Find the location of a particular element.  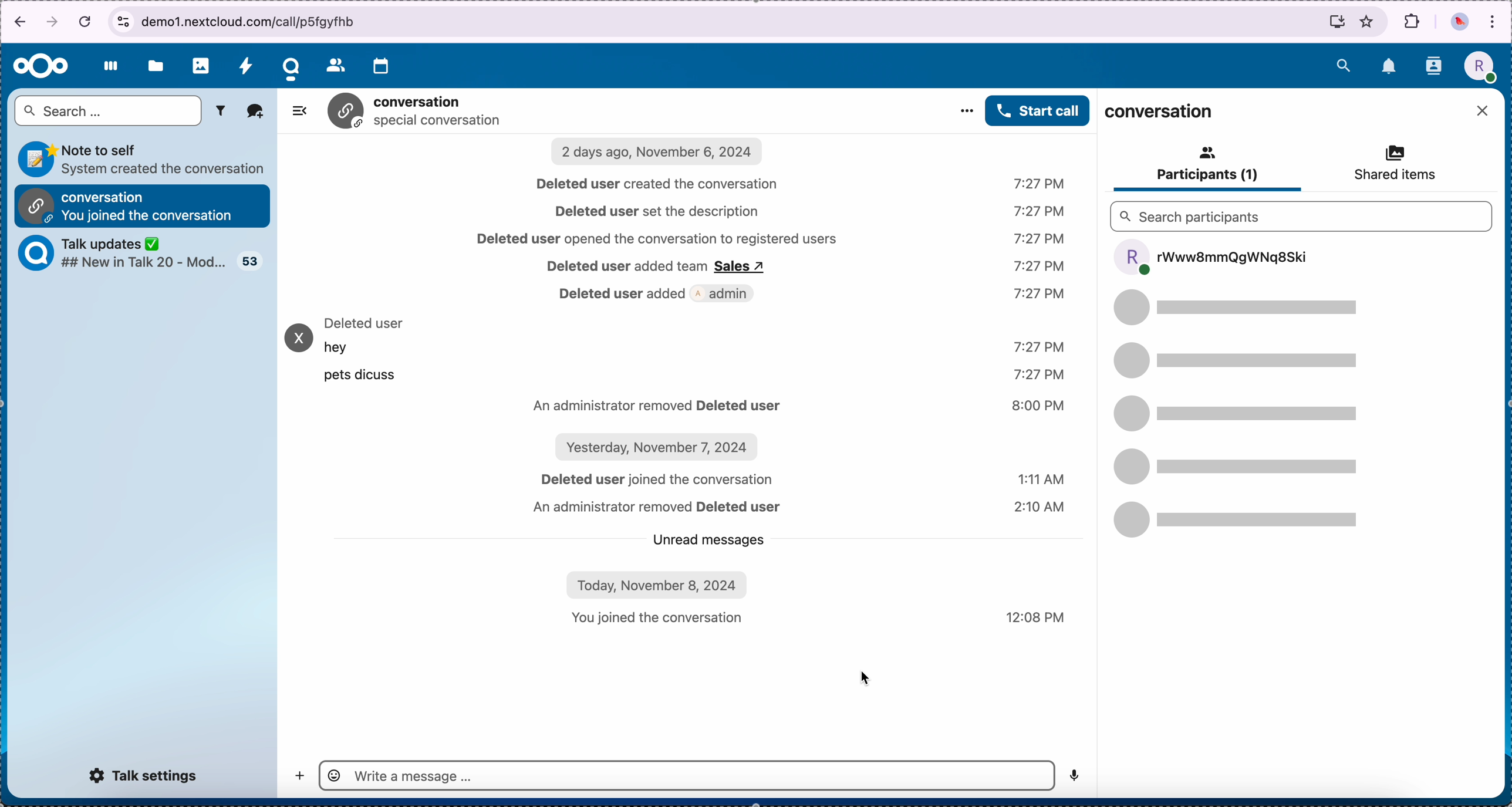

browser bar is located at coordinates (752, 22).